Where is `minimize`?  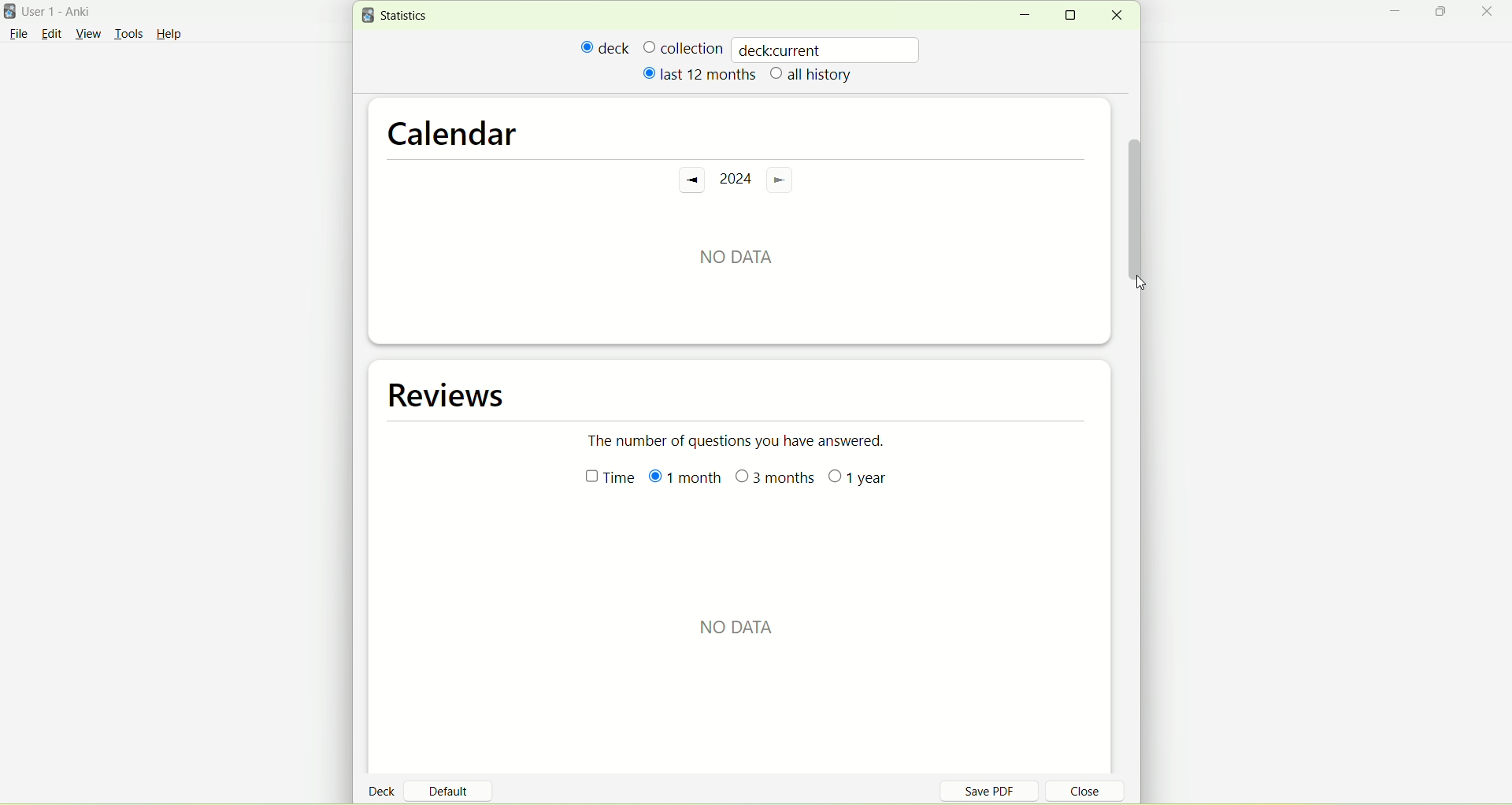 minimize is located at coordinates (1024, 16).